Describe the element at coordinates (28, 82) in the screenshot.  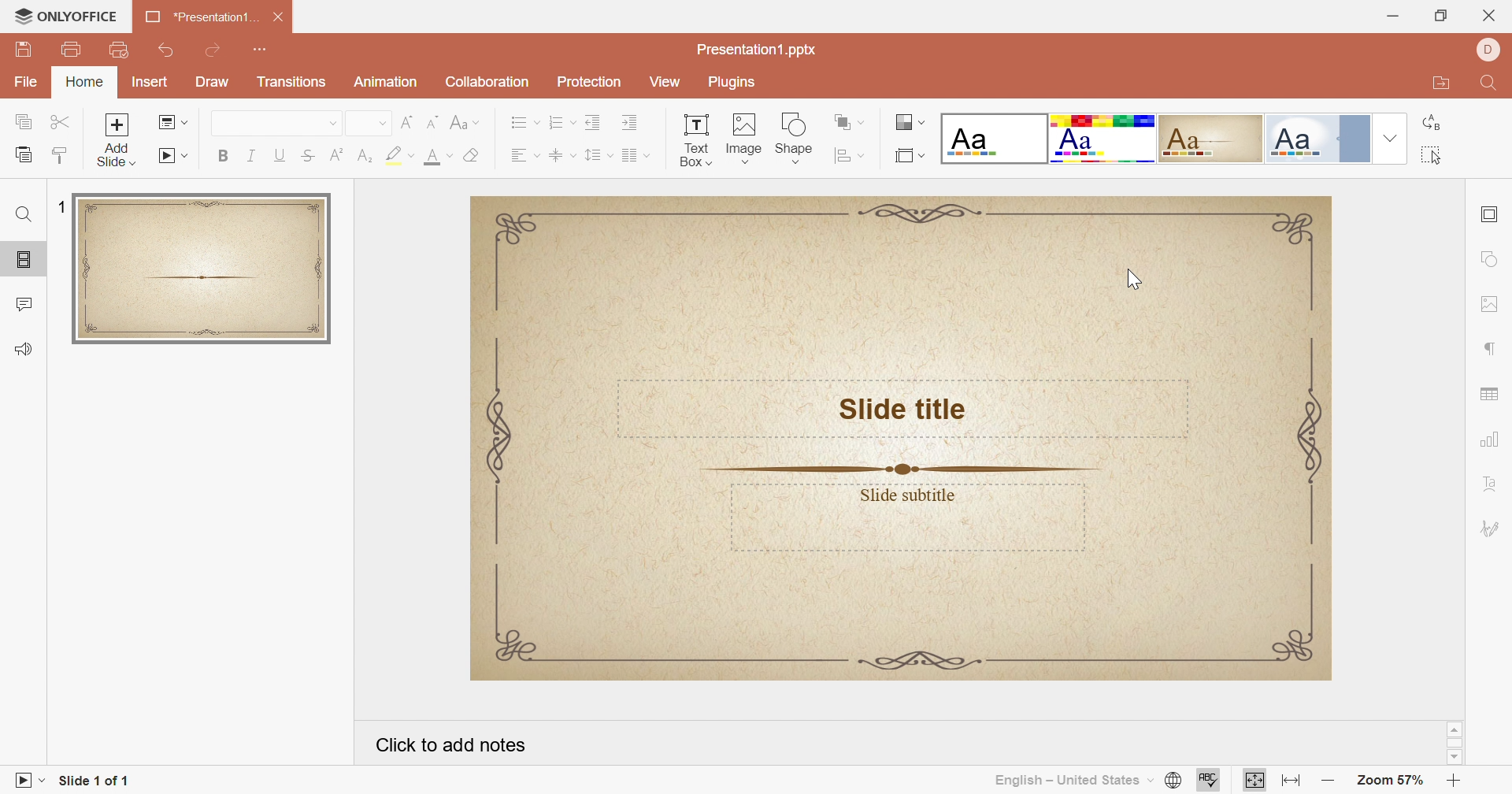
I see `File` at that location.